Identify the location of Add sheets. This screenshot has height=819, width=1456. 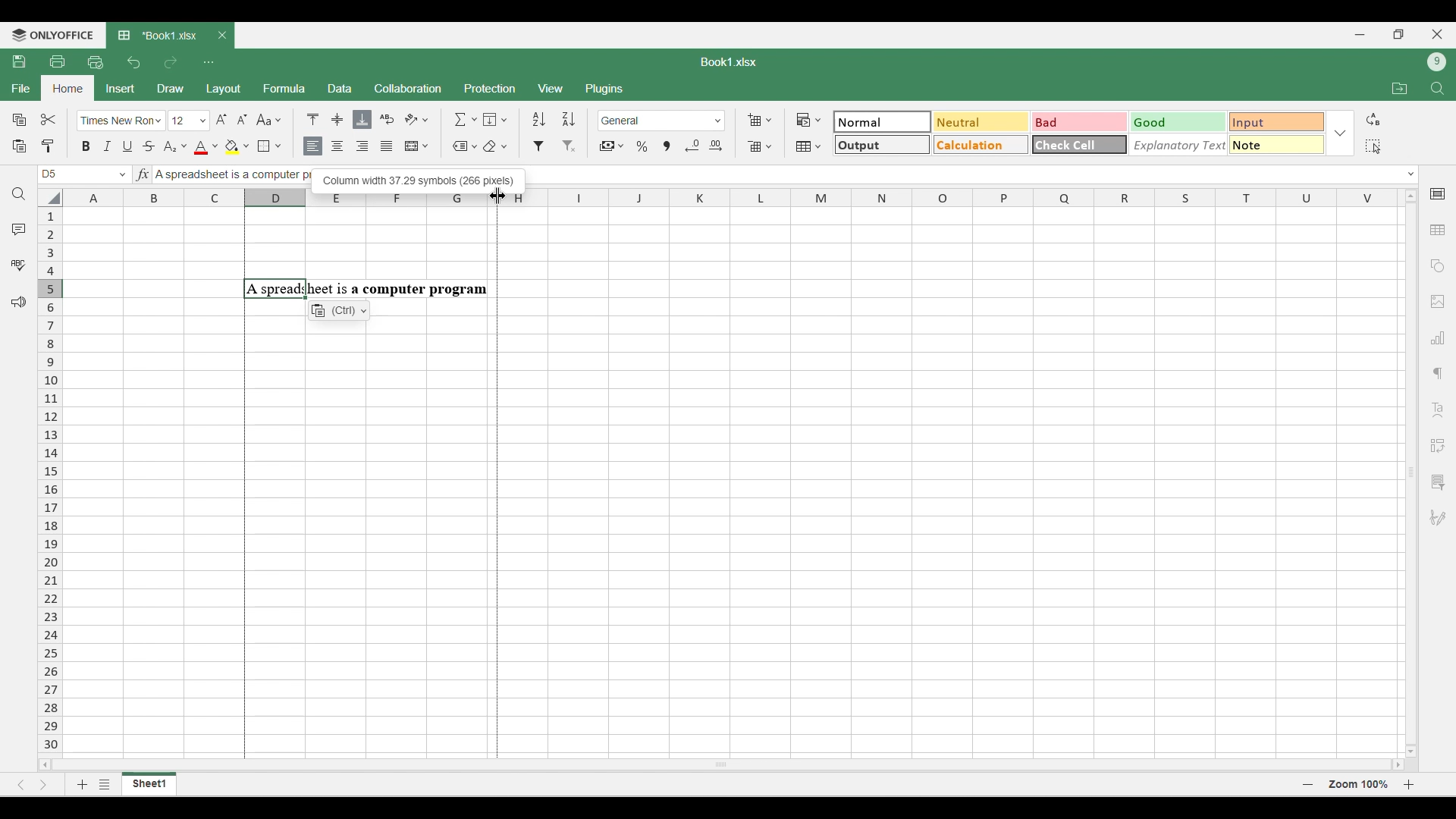
(83, 784).